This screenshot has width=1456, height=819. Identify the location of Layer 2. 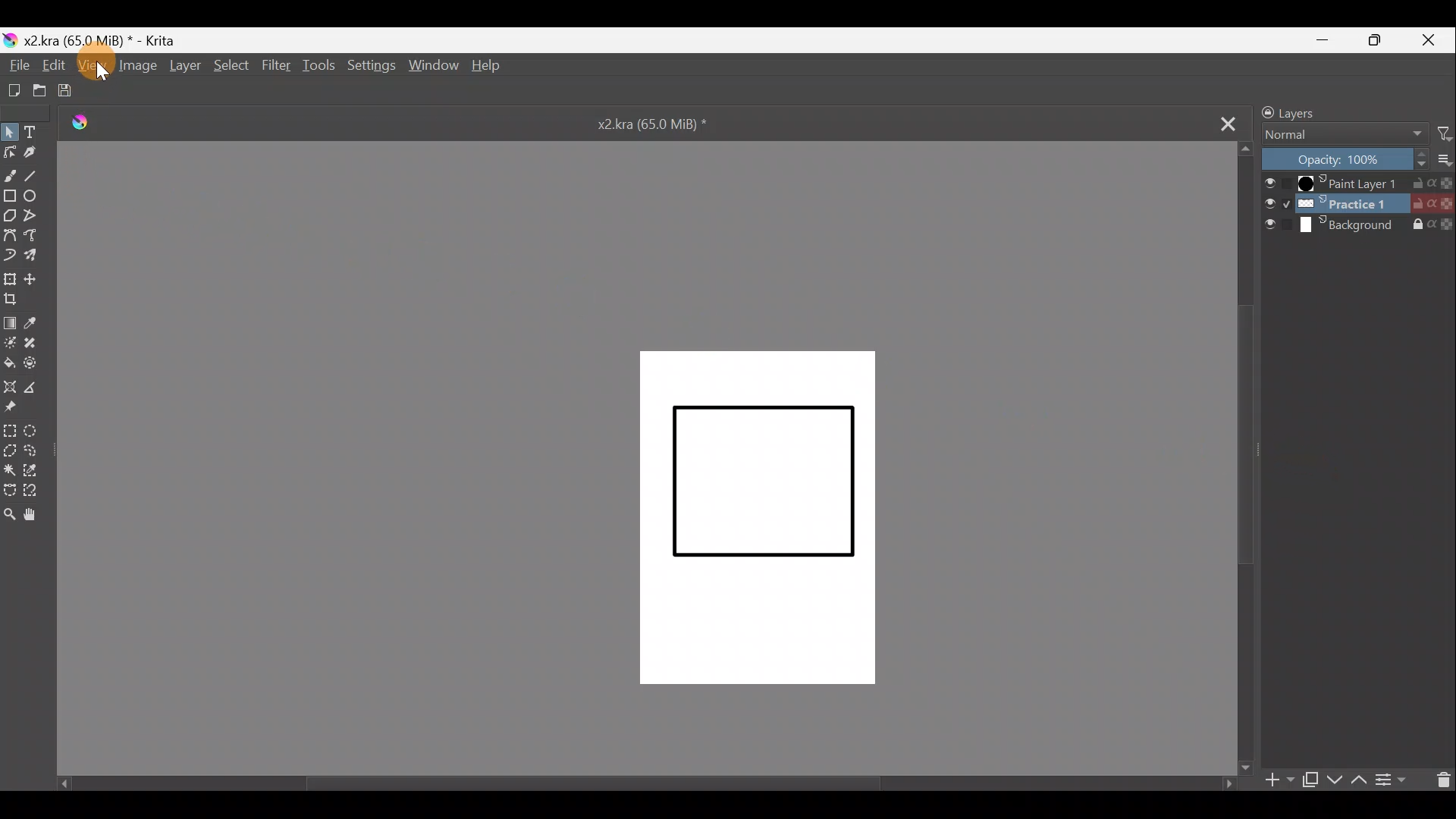
(1357, 203).